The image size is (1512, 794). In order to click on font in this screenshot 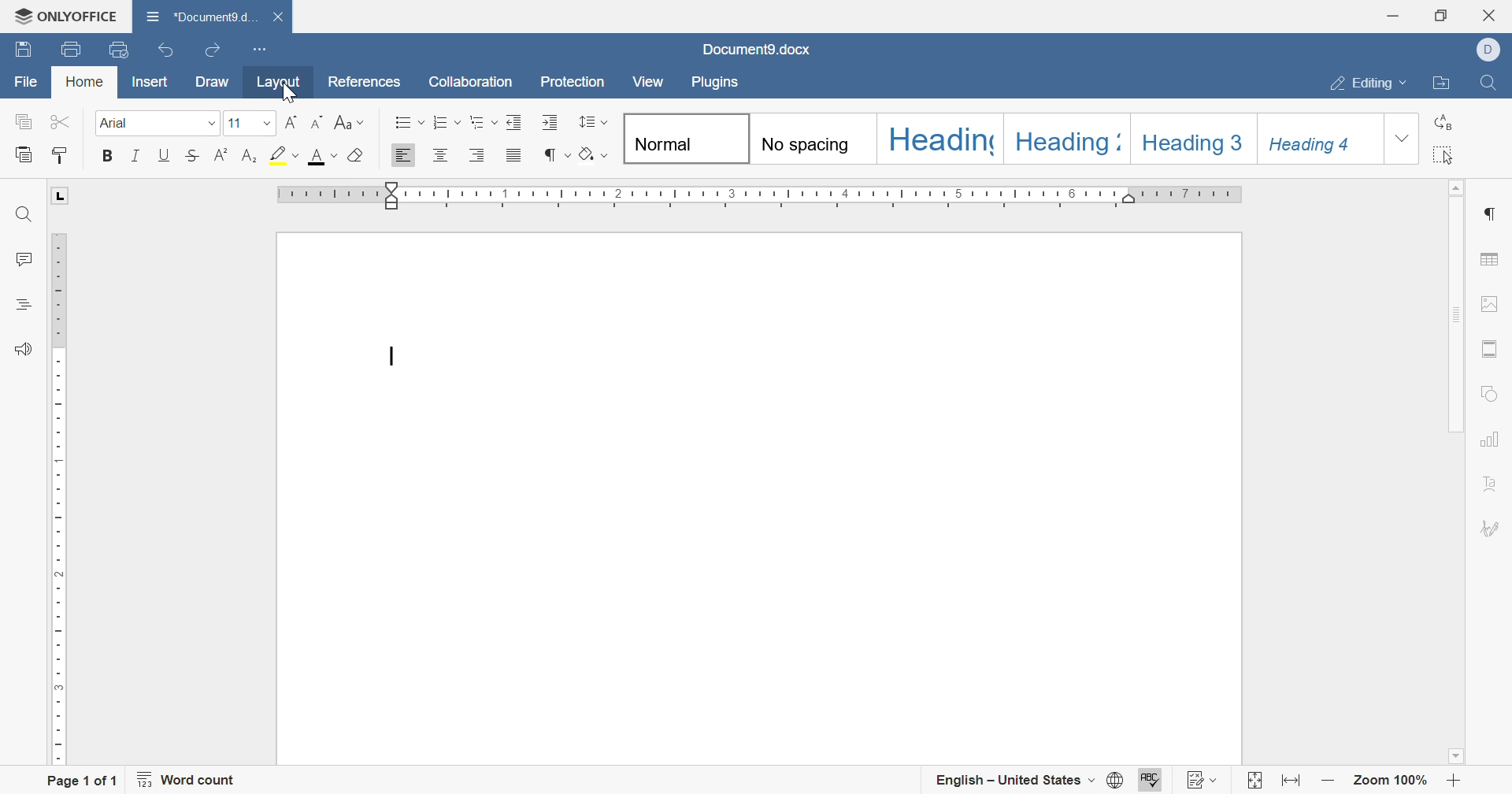, I will do `click(156, 122)`.